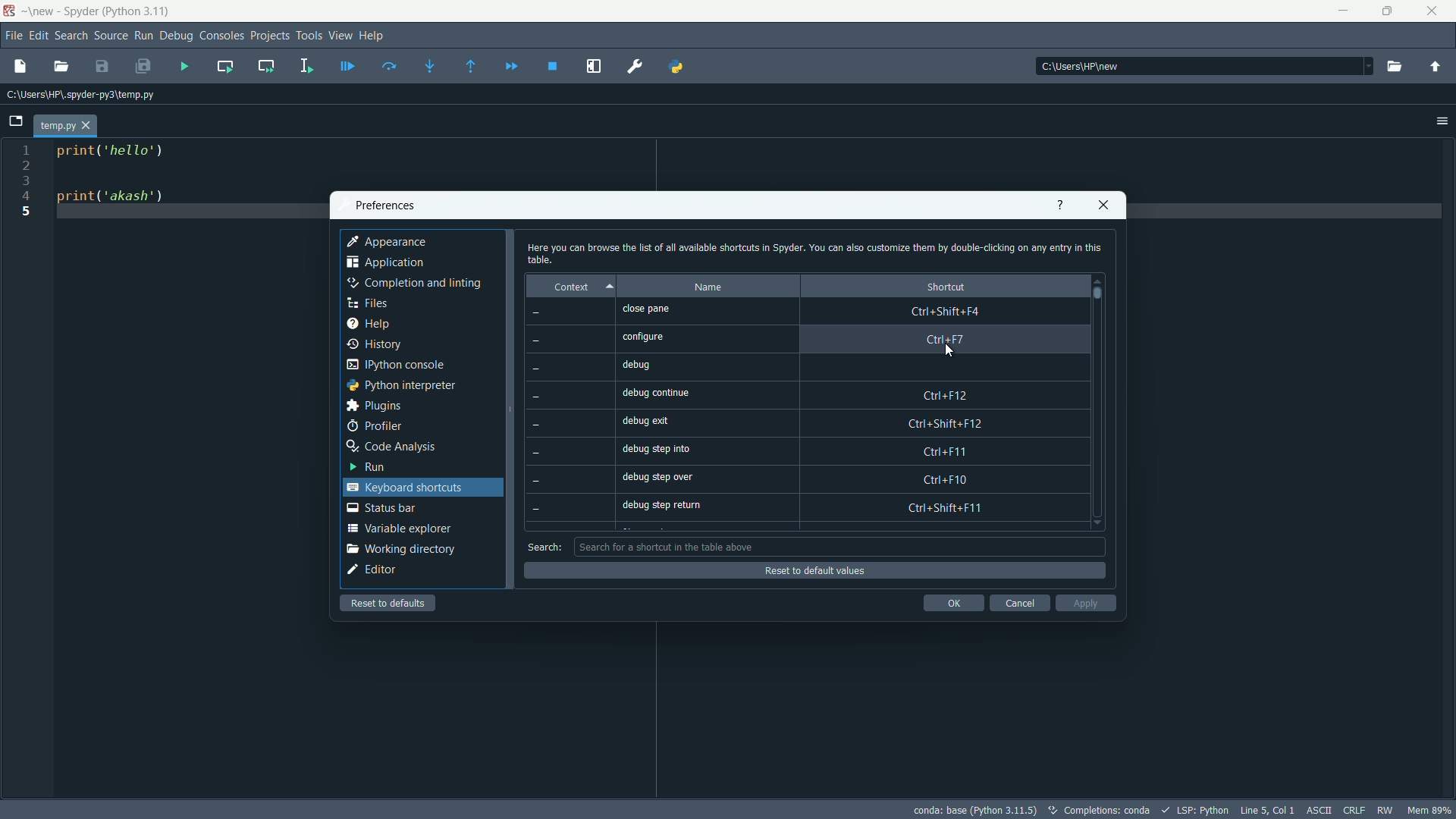 This screenshot has width=1456, height=819. Describe the element at coordinates (81, 96) in the screenshot. I see `directory` at that location.